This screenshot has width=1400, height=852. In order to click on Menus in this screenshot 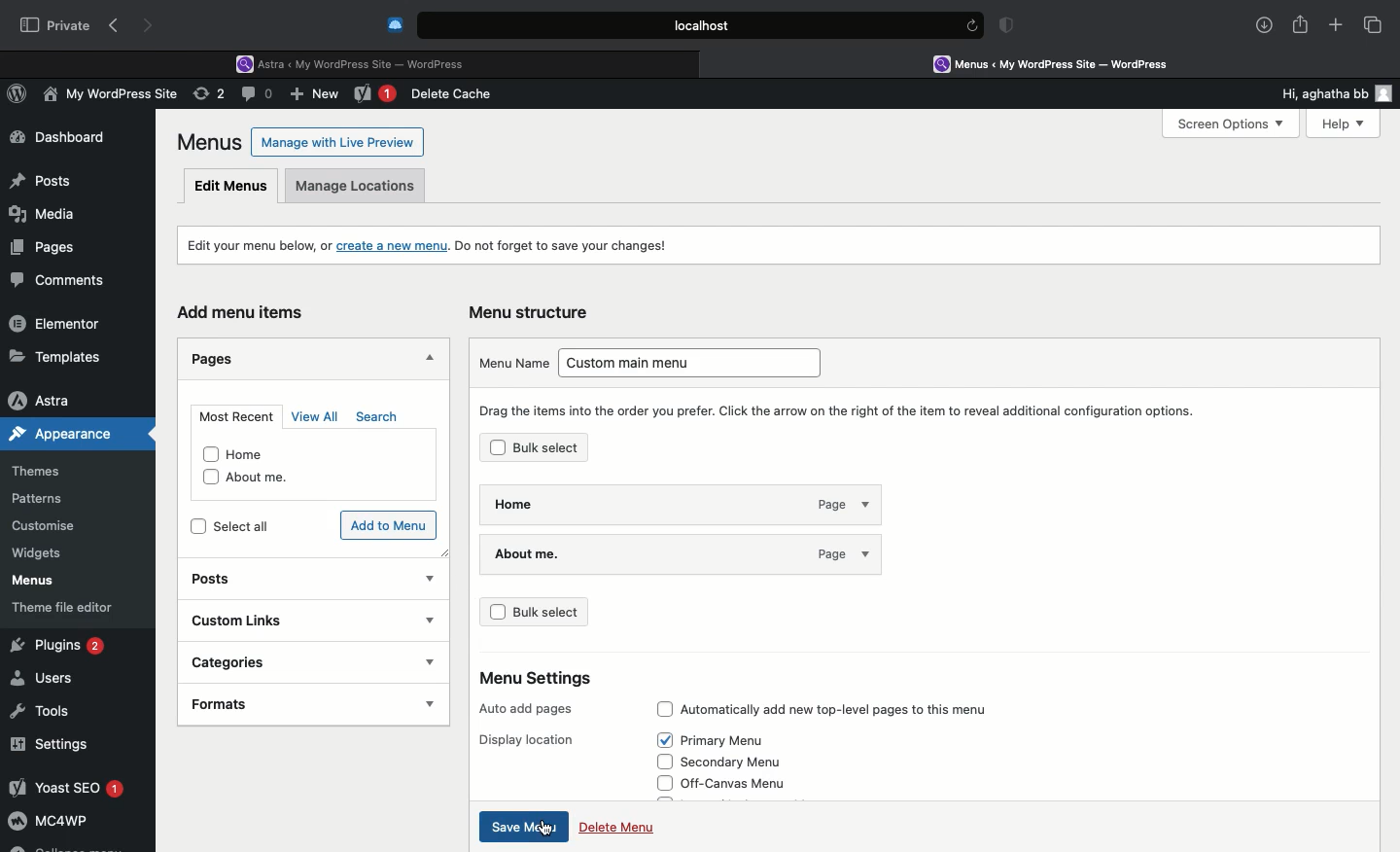, I will do `click(211, 142)`.